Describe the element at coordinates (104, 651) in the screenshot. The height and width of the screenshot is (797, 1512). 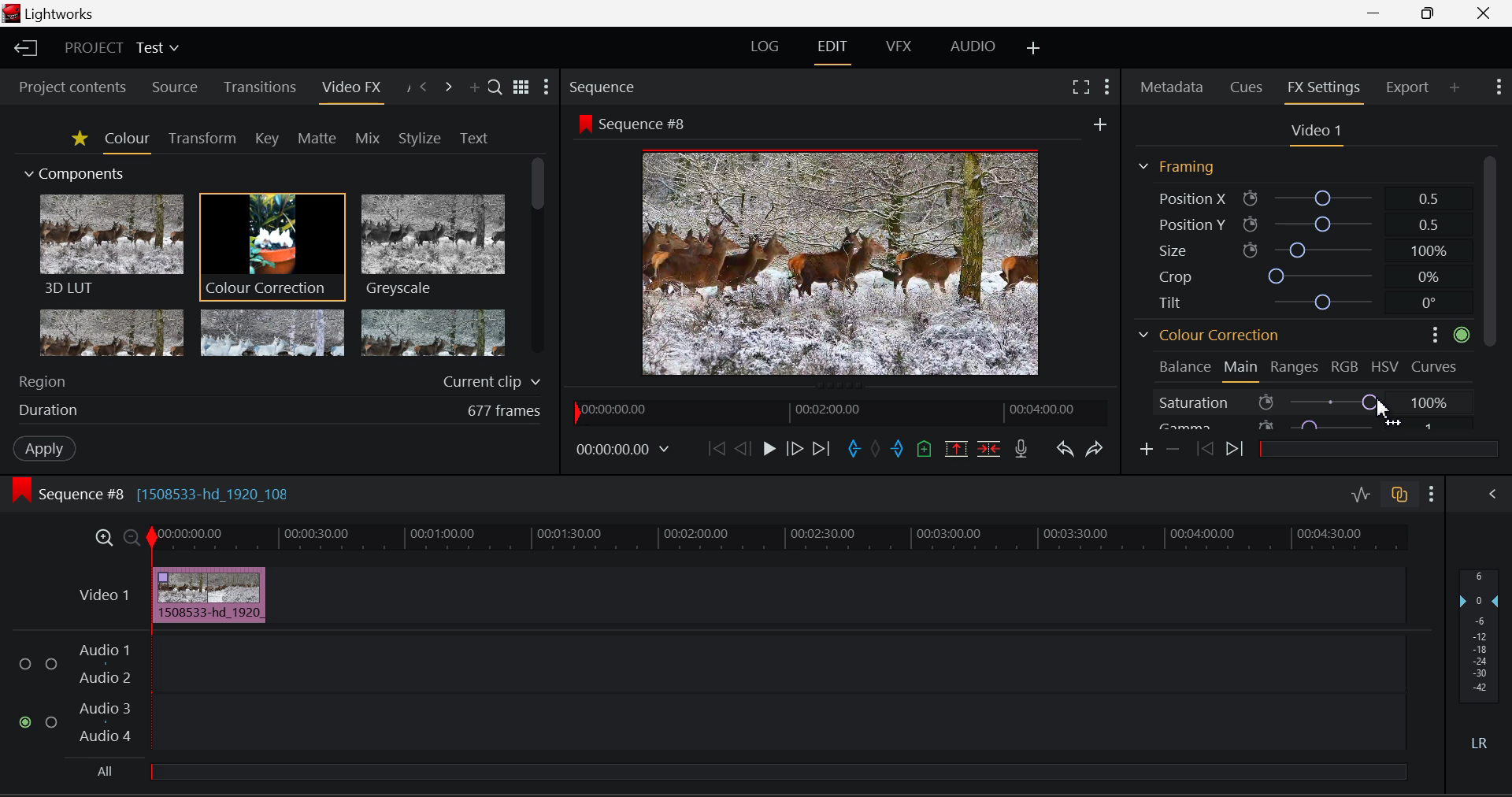
I see `Audio 1` at that location.